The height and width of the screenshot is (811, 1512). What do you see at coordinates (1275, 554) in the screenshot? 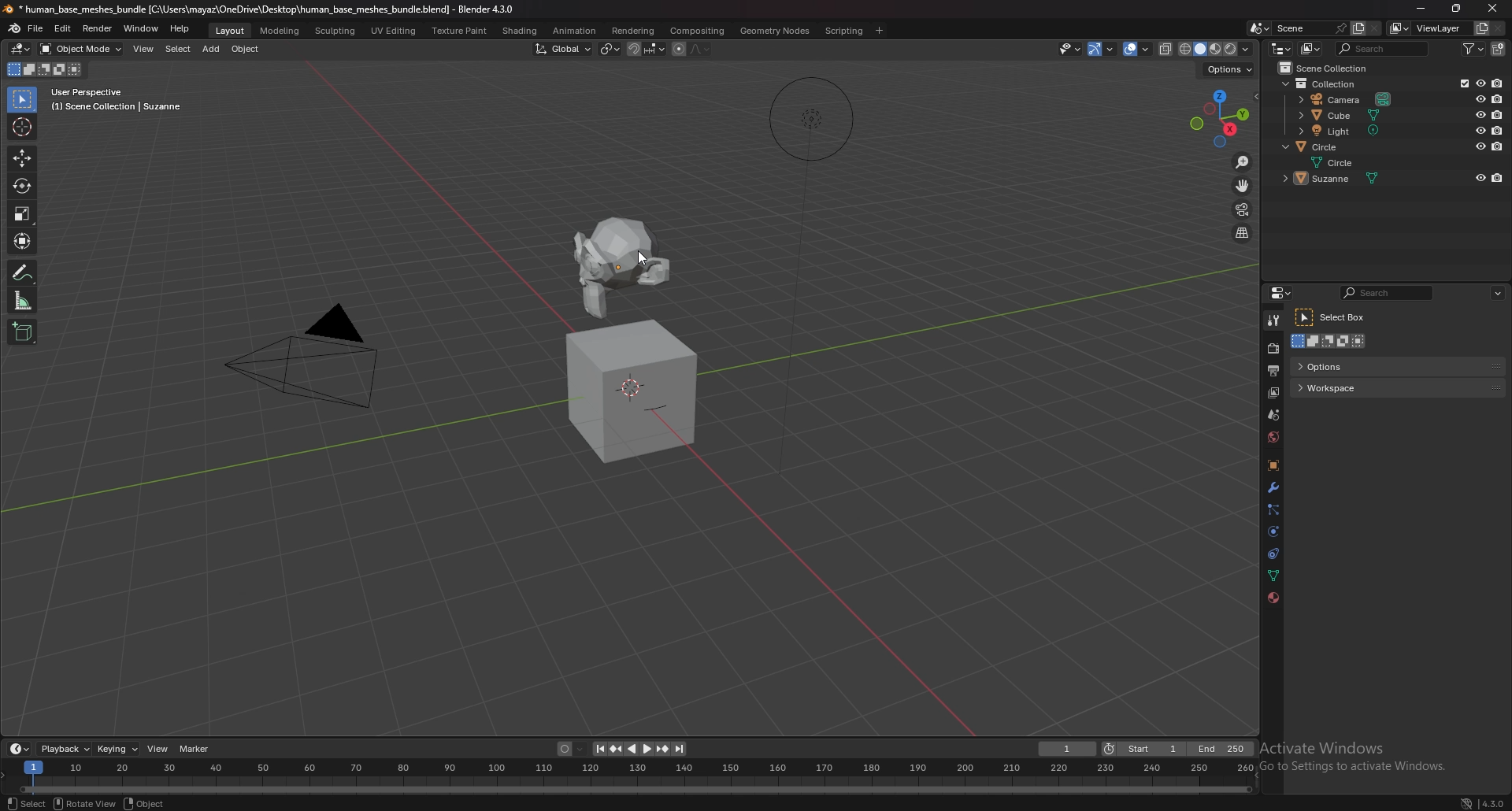
I see `constraints` at bounding box center [1275, 554].